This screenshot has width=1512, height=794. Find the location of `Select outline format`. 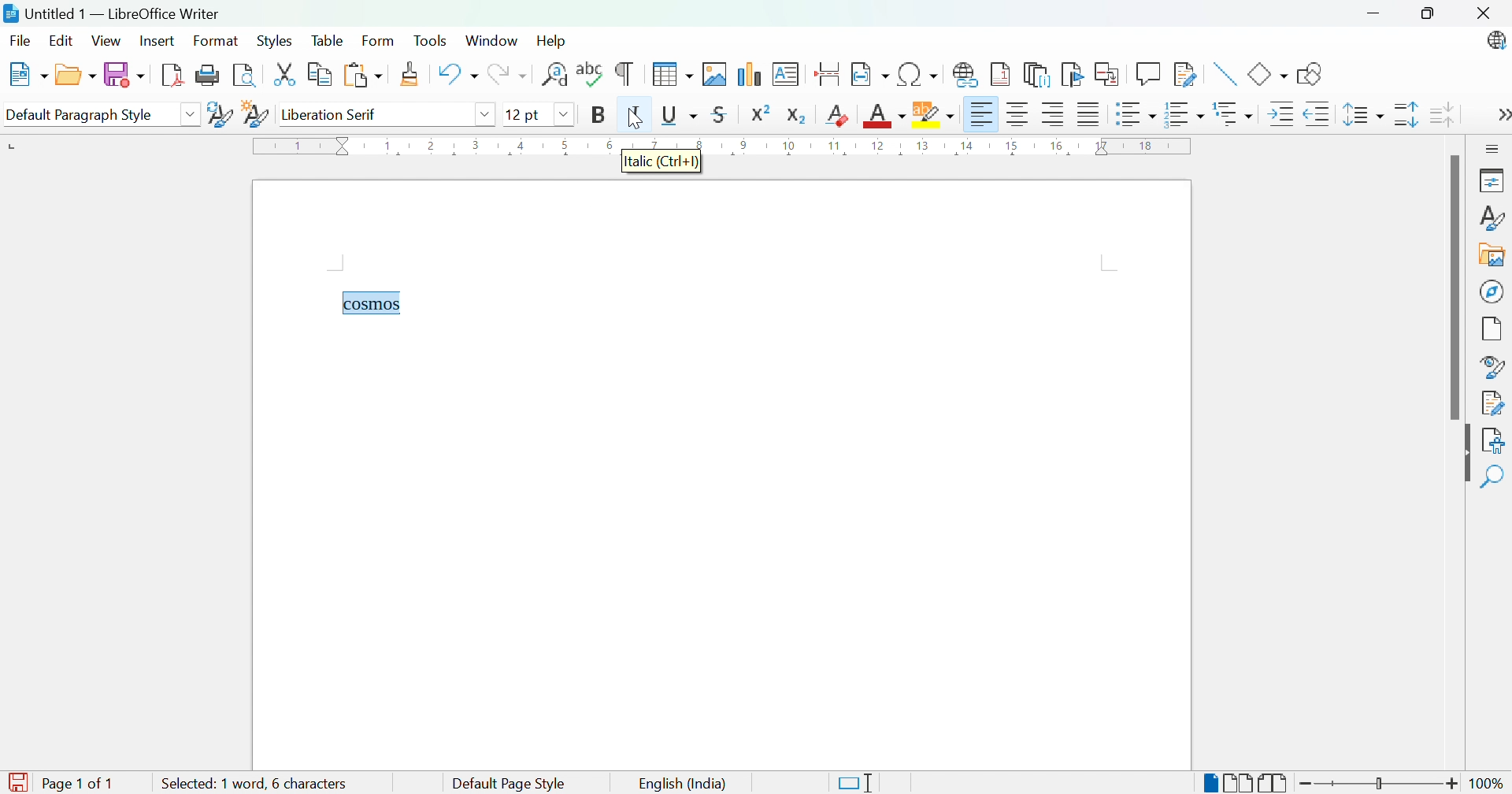

Select outline format is located at coordinates (1234, 116).